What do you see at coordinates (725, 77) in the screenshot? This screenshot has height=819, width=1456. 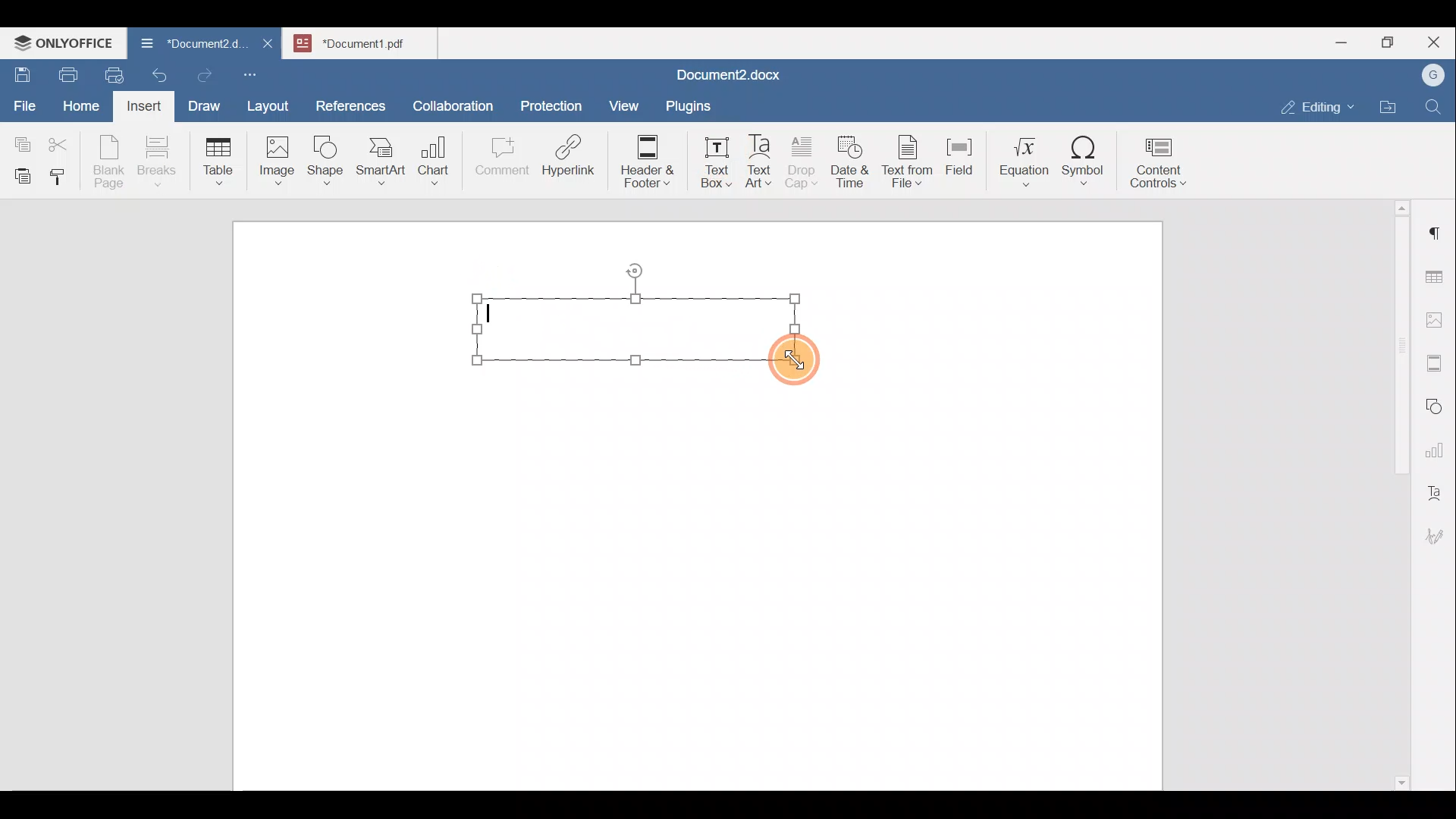 I see `Document name` at bounding box center [725, 77].